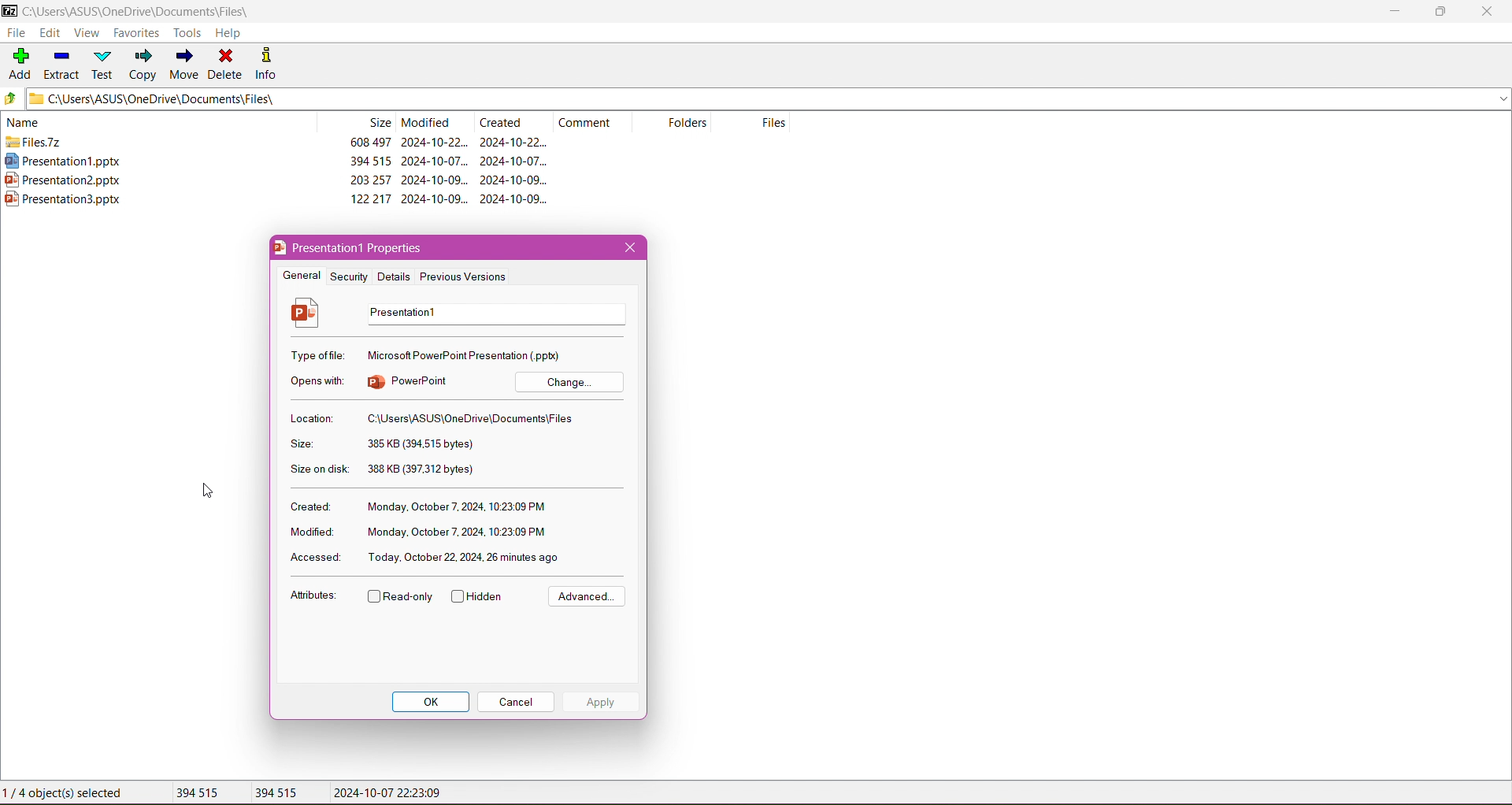 This screenshot has height=805, width=1512. Describe the element at coordinates (571, 381) in the screenshot. I see `Change ` at that location.